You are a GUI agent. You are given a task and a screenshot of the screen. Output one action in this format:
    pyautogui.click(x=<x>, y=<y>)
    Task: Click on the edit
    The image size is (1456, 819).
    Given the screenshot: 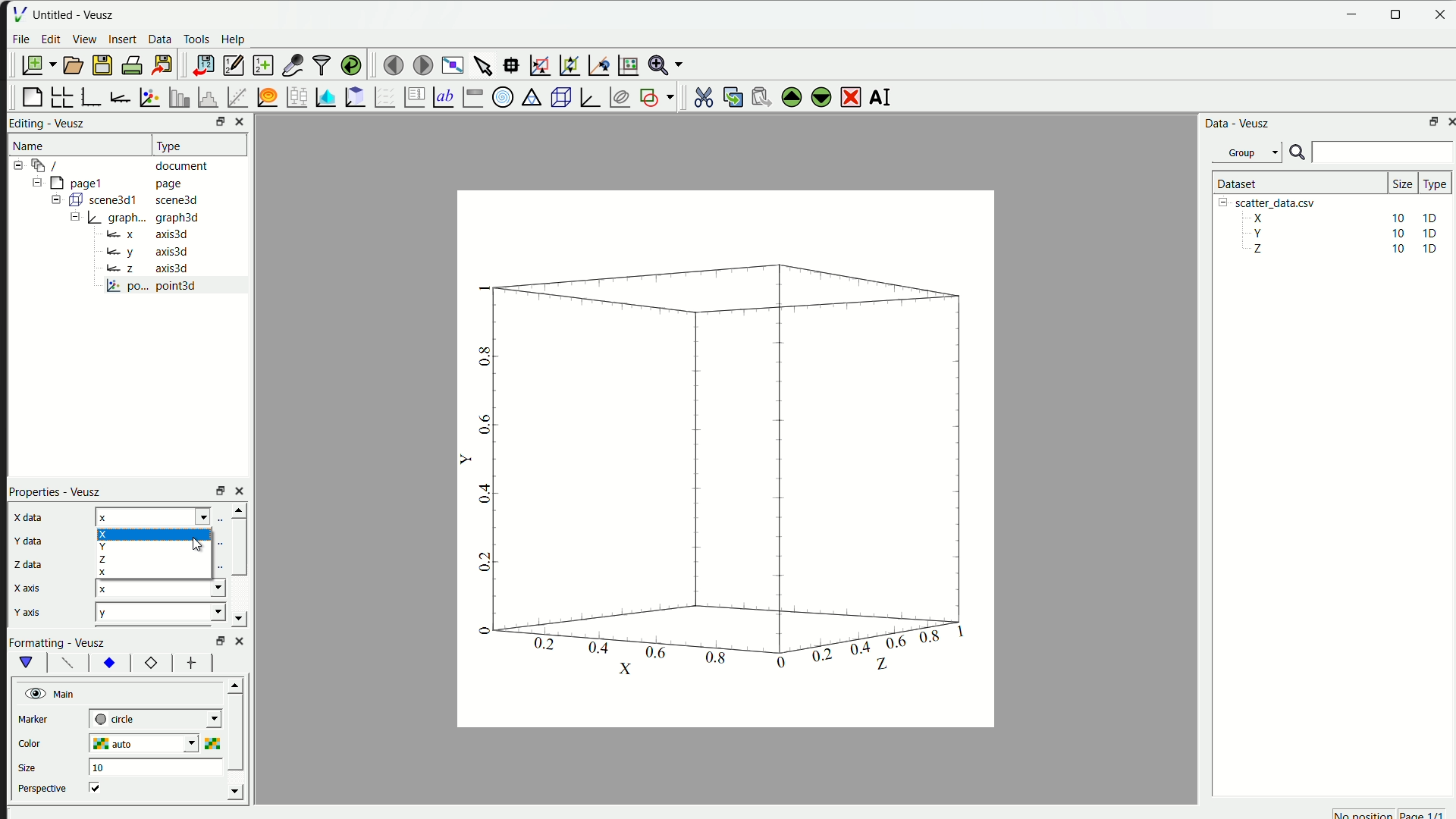 What is the action you would take?
    pyautogui.click(x=50, y=39)
    